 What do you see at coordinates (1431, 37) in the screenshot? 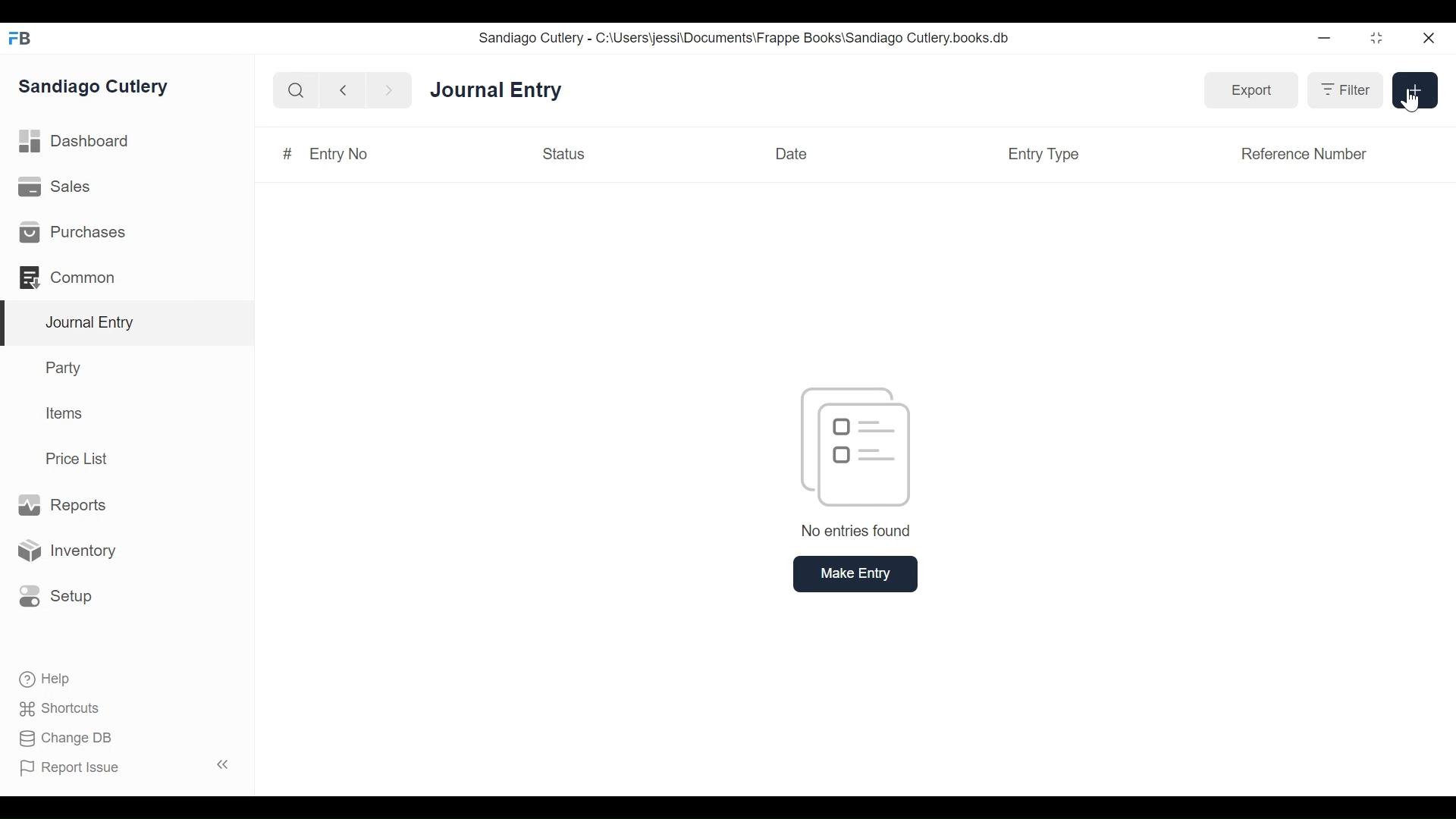
I see `Close` at bounding box center [1431, 37].